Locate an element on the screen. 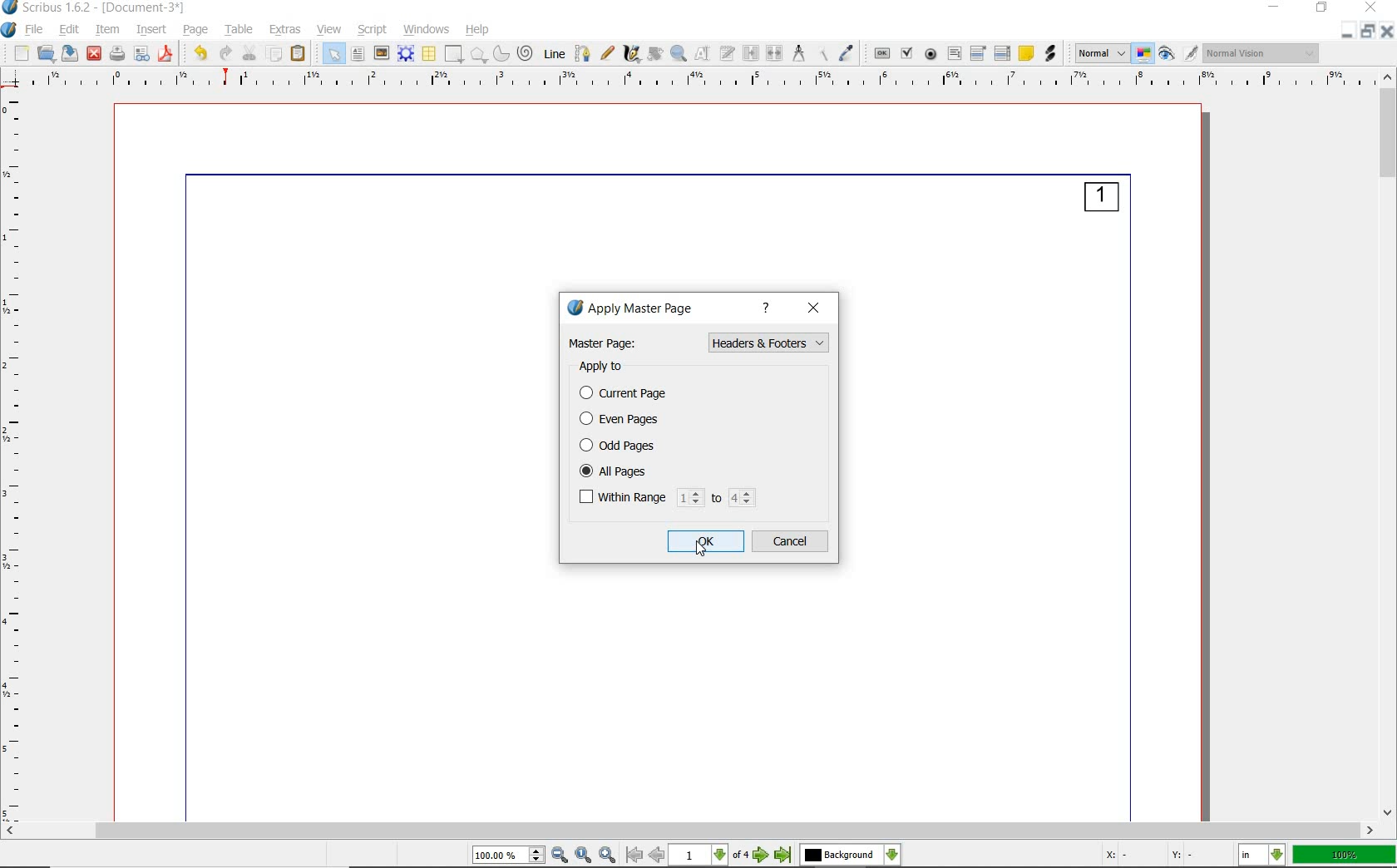  edit text with story editor is located at coordinates (727, 53).